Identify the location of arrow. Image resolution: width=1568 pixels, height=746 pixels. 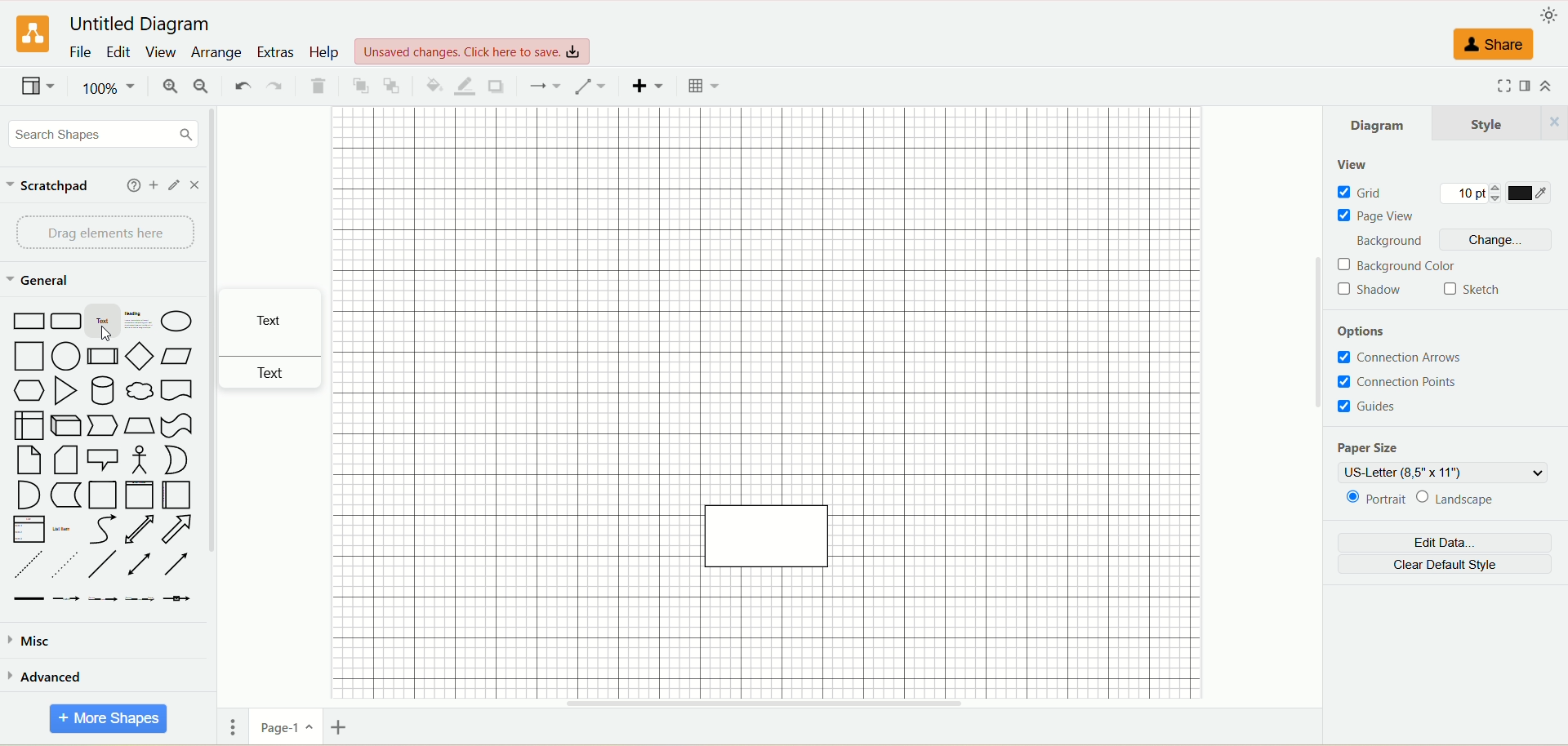
(178, 530).